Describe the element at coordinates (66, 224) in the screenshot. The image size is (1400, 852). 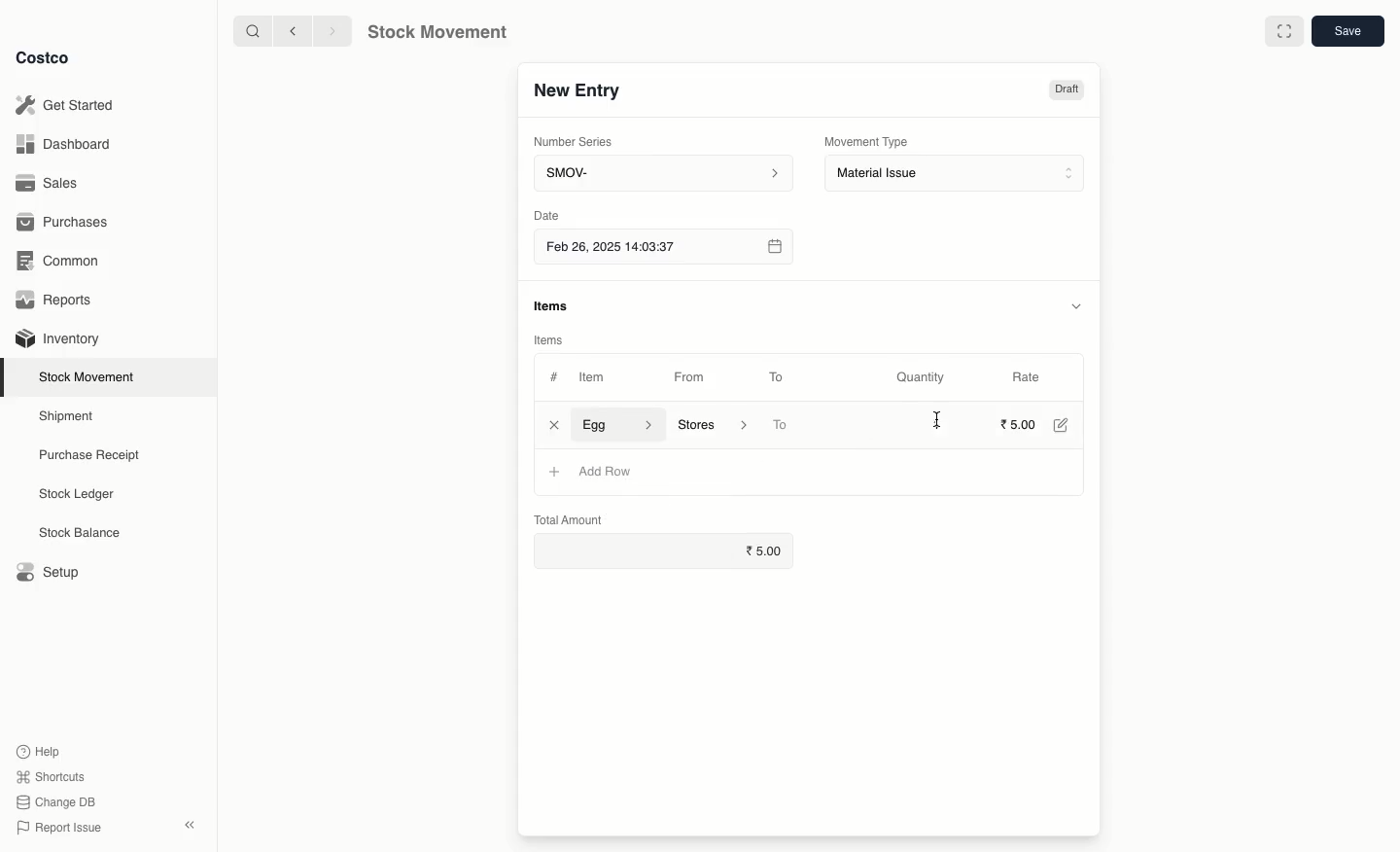
I see `Purchases` at that location.